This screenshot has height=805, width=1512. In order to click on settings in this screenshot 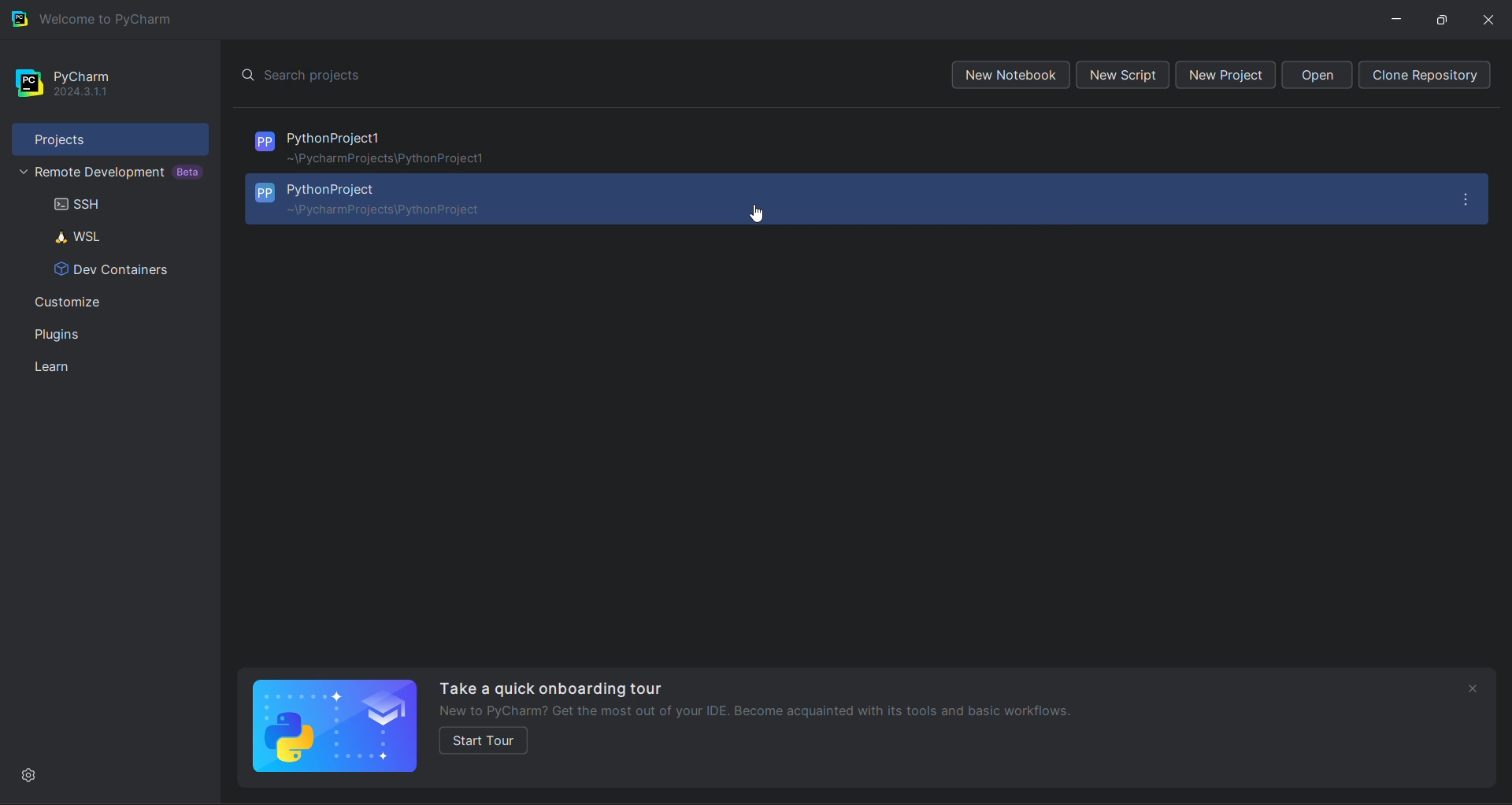, I will do `click(29, 776)`.